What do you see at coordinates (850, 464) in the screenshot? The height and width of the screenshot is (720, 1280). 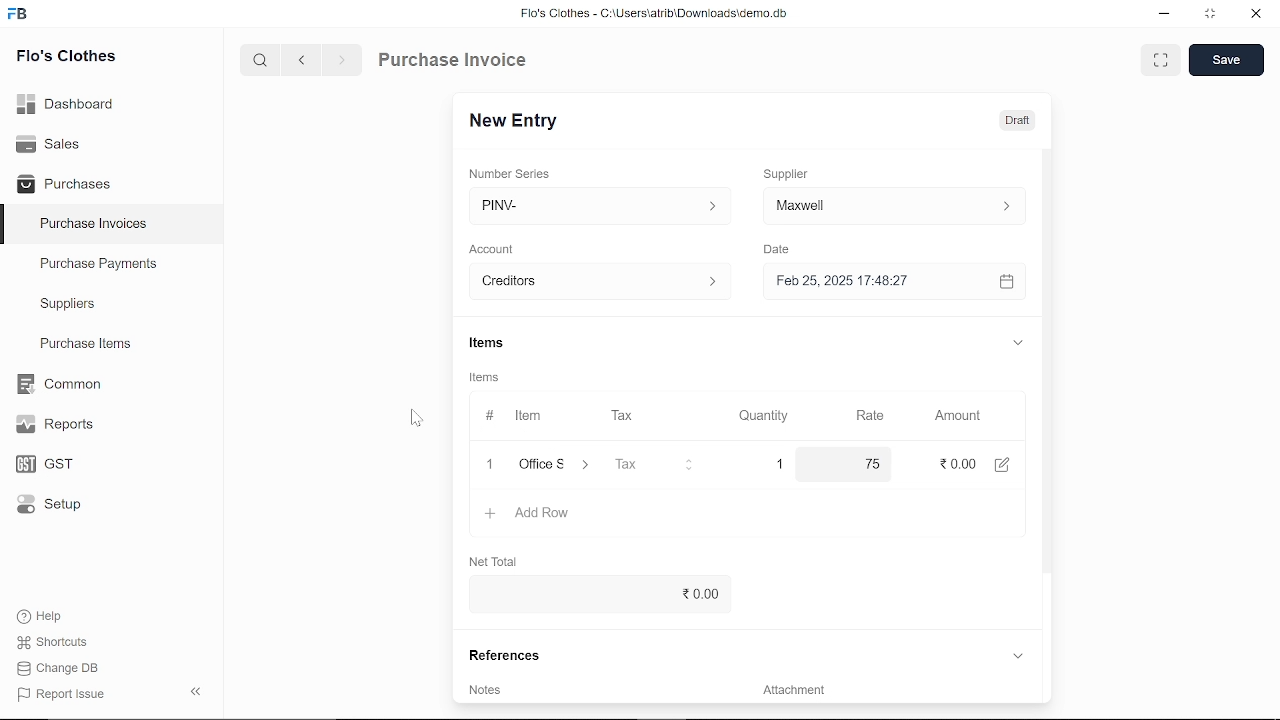 I see `75` at bounding box center [850, 464].